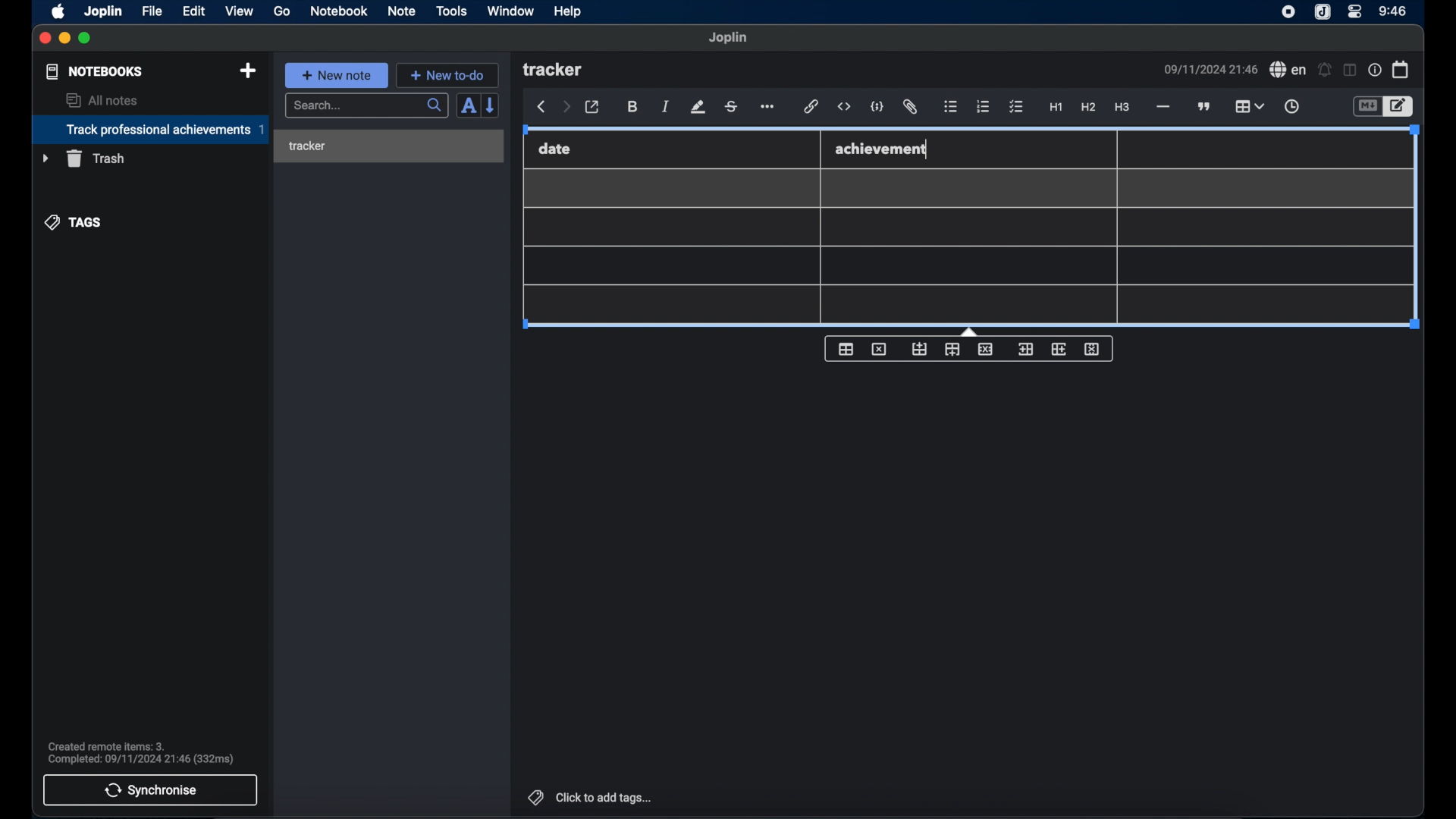  I want to click on new to-do, so click(447, 75).